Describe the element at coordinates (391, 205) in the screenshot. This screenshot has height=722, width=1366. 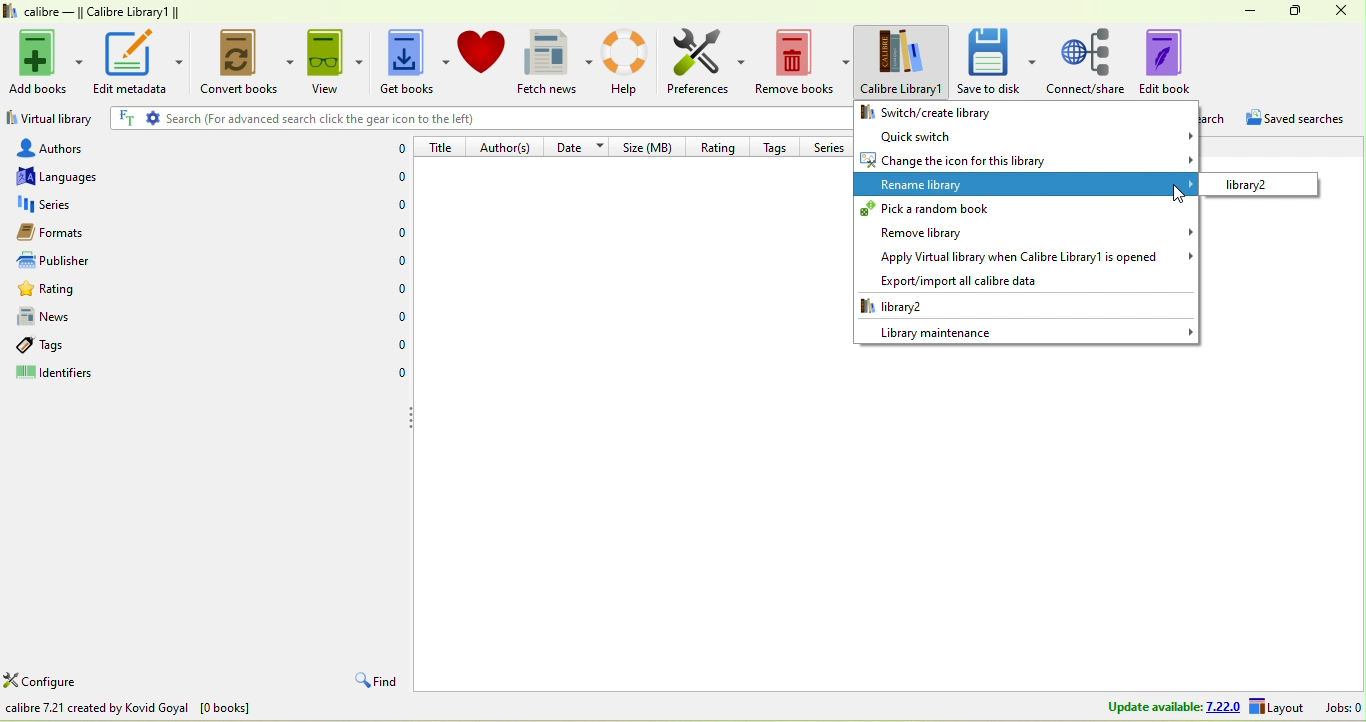
I see `0` at that location.